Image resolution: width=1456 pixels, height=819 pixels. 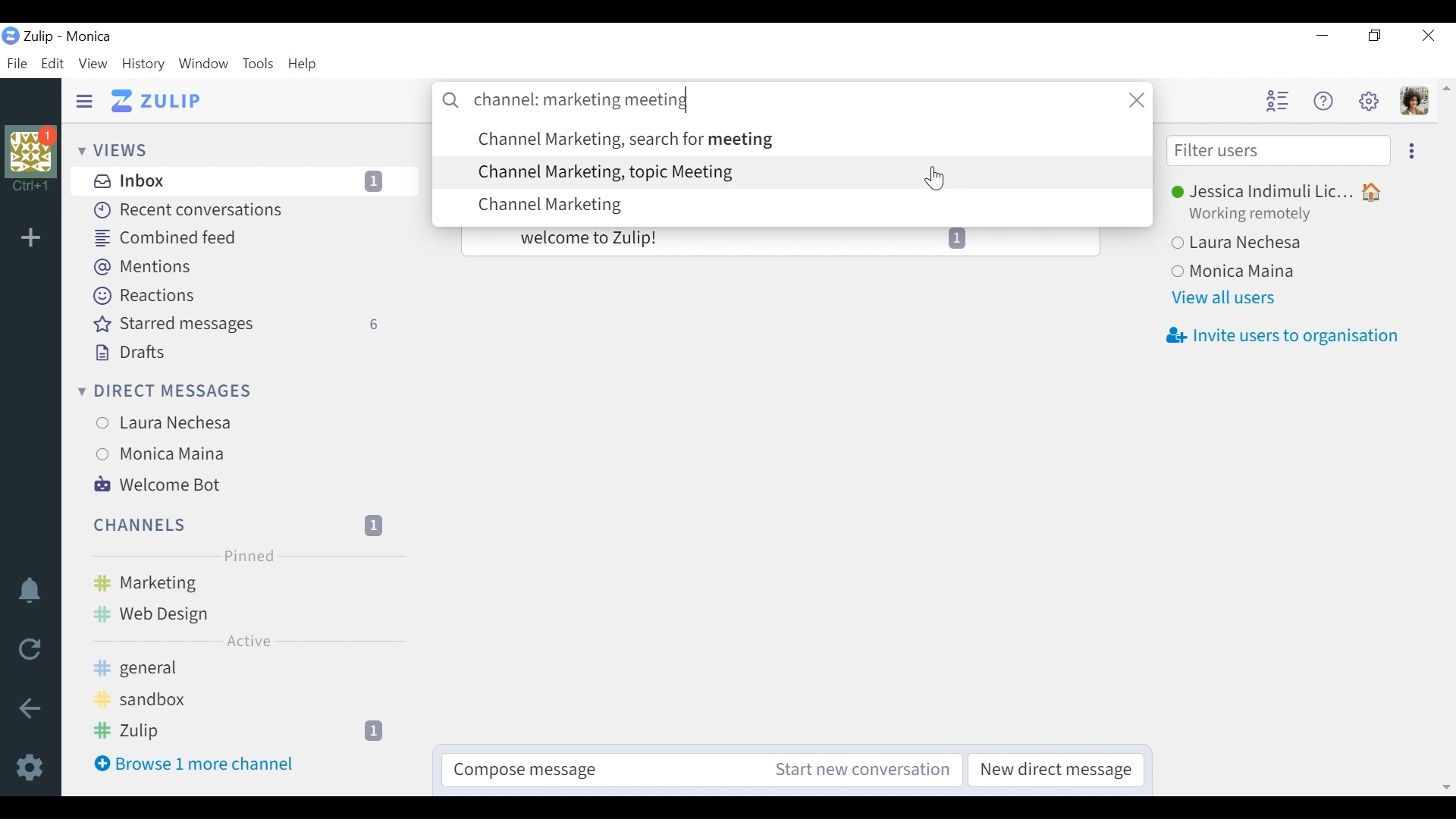 What do you see at coordinates (169, 238) in the screenshot?
I see `Combined feed` at bounding box center [169, 238].